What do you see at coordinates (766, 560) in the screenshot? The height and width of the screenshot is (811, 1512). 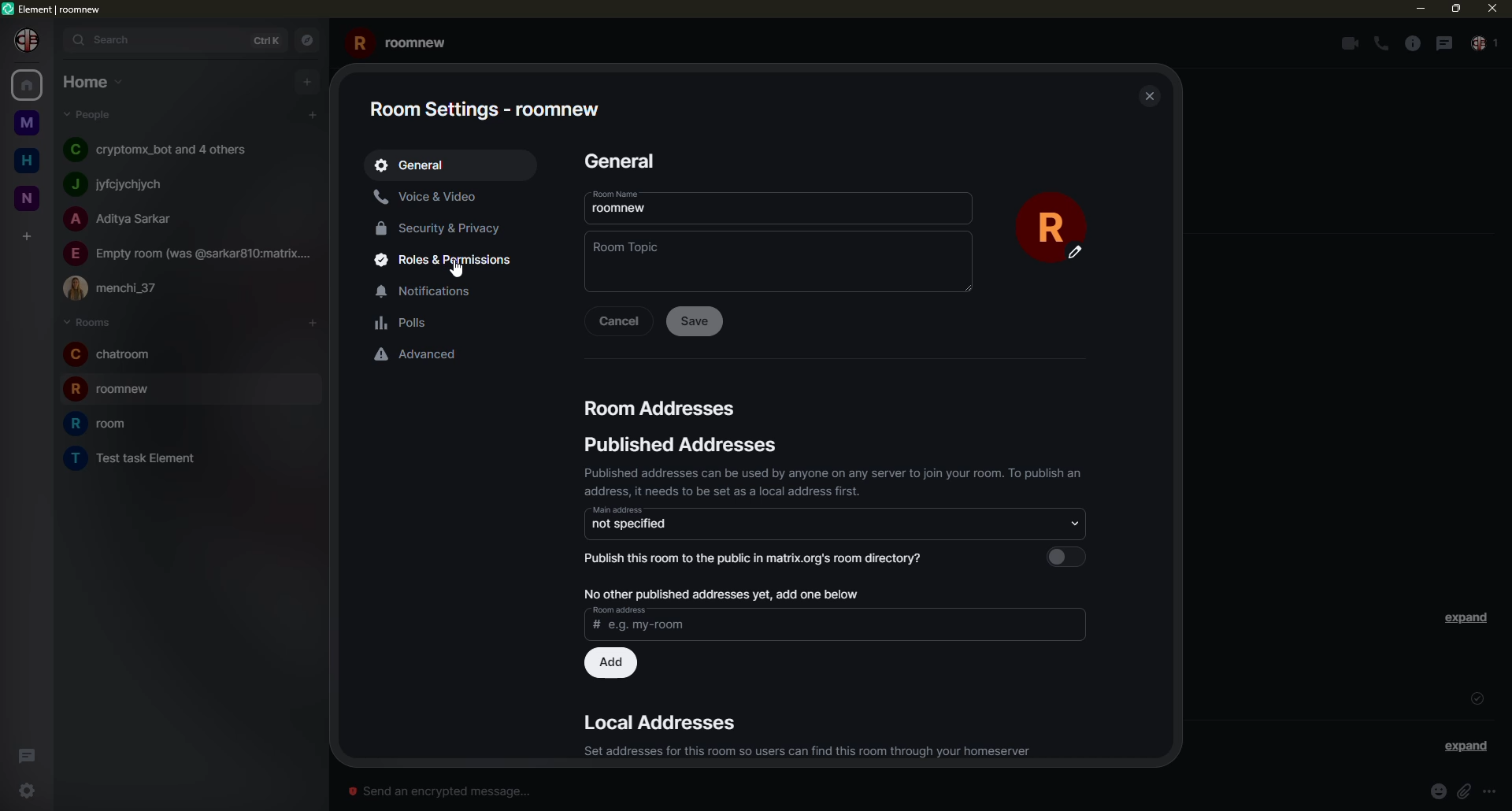 I see `publish` at bounding box center [766, 560].